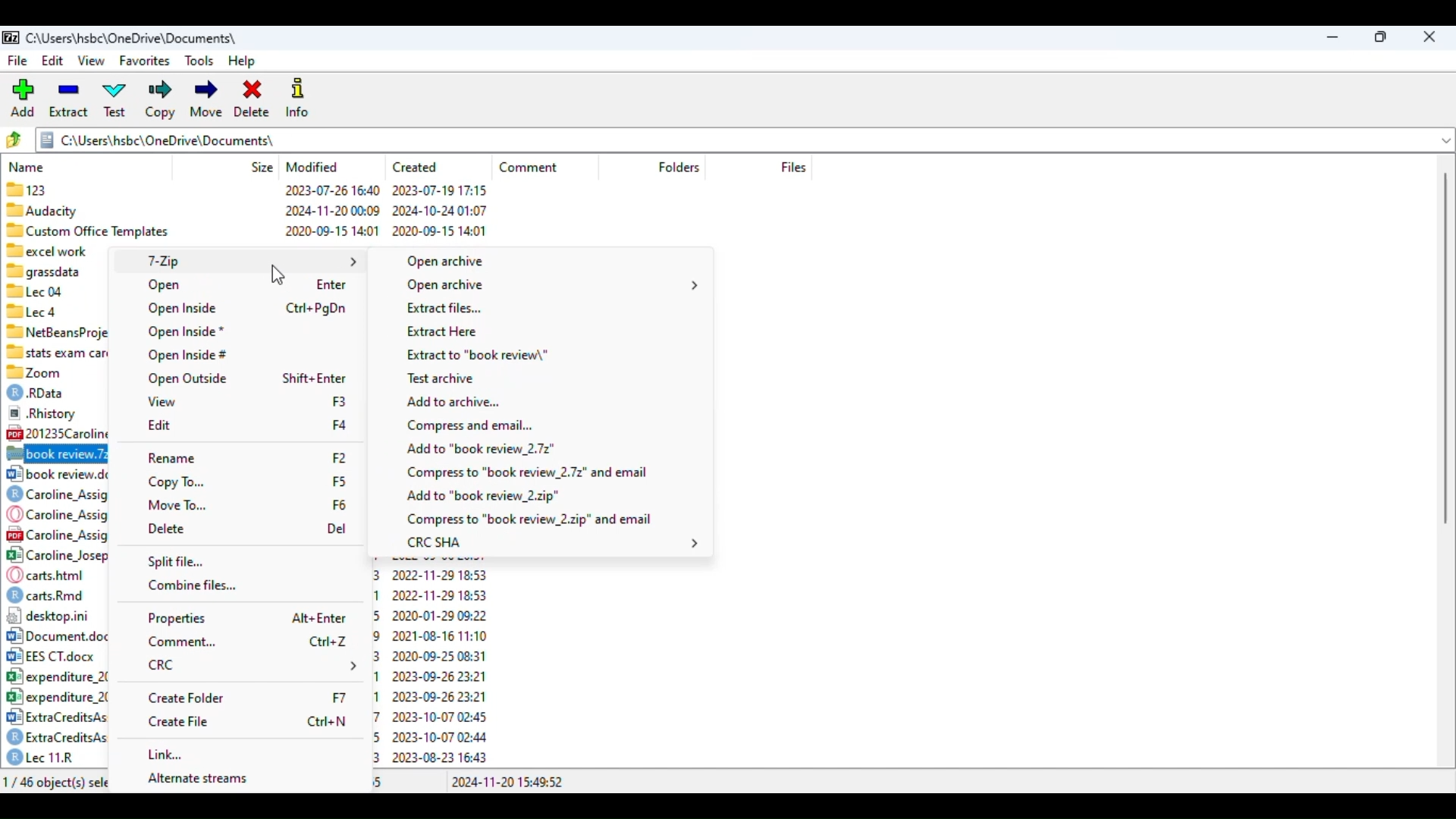 The width and height of the screenshot is (1456, 819). What do you see at coordinates (54, 60) in the screenshot?
I see `edit` at bounding box center [54, 60].